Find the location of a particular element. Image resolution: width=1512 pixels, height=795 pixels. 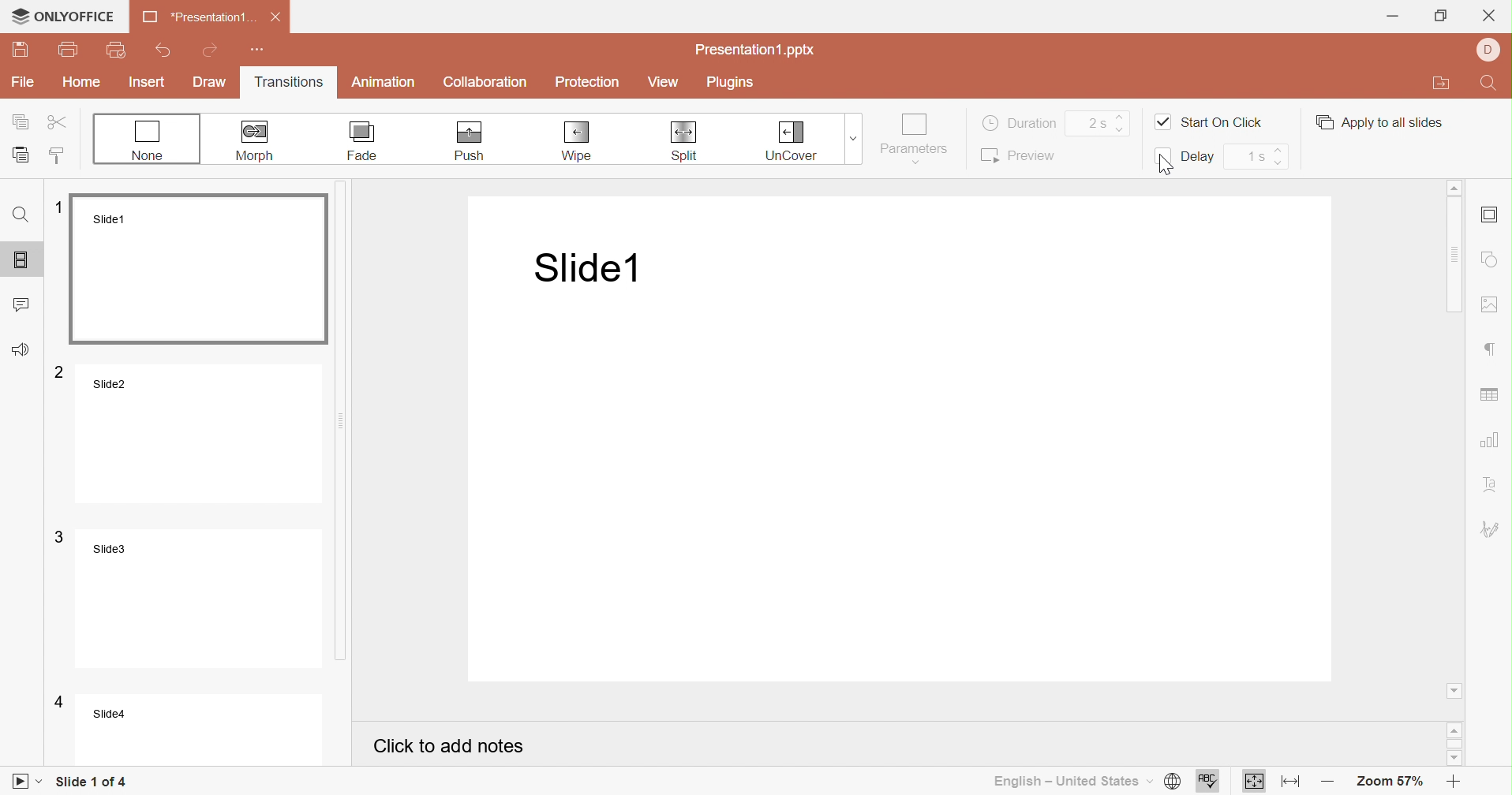

Scroll down is located at coordinates (1455, 689).